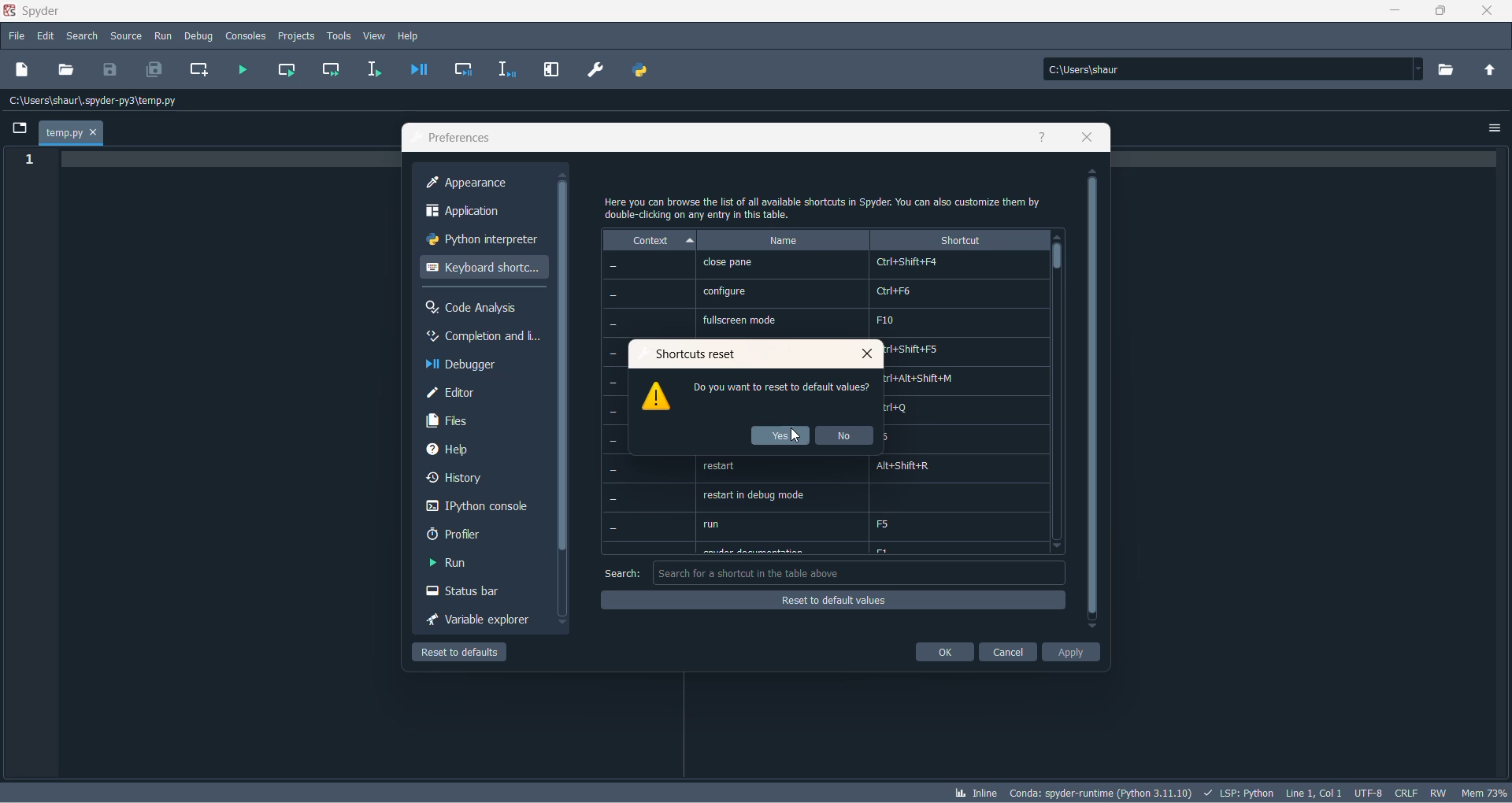 The image size is (1512, 803). I want to click on python interpreter, so click(484, 241).